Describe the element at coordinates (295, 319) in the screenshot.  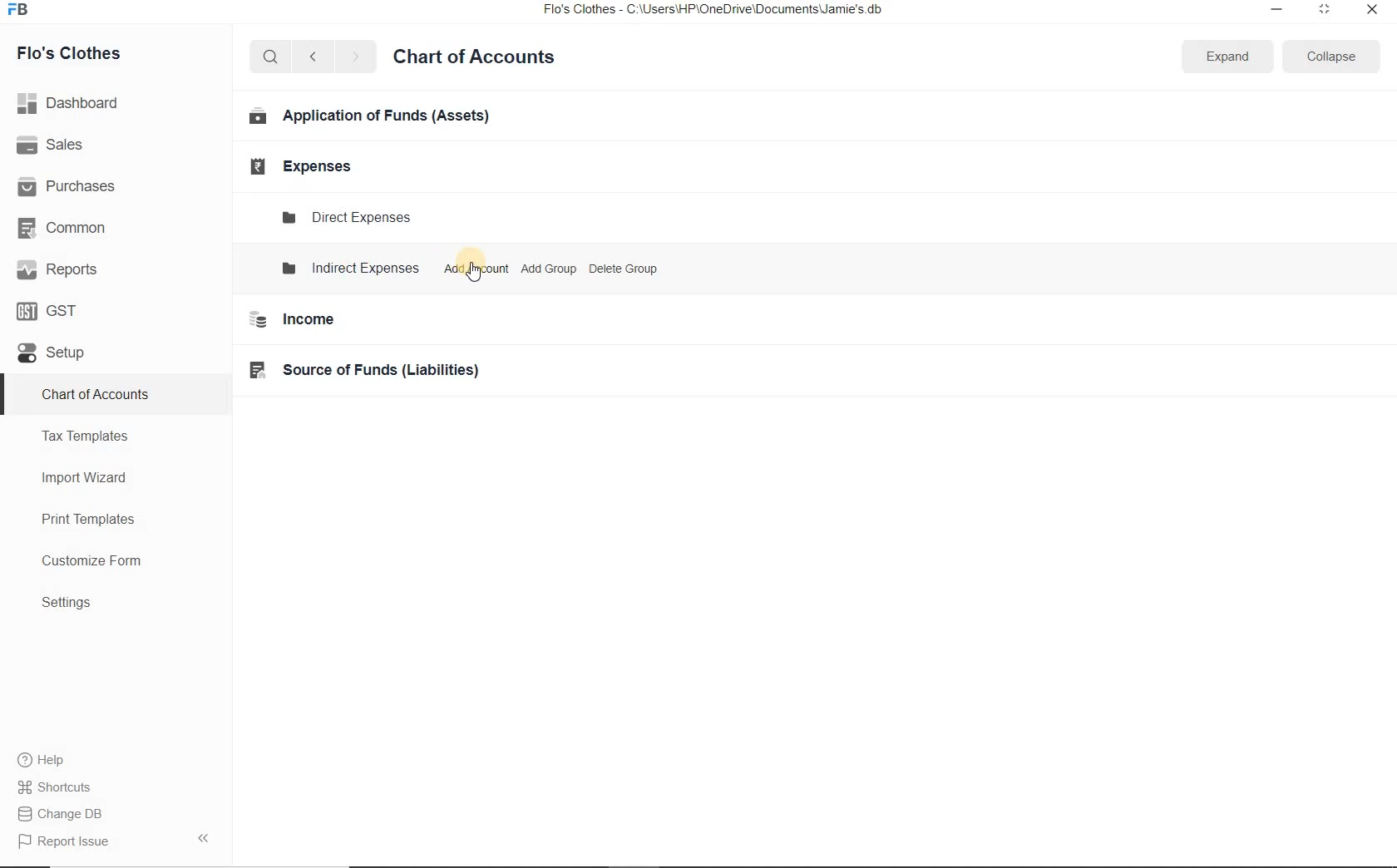
I see `Income` at that location.